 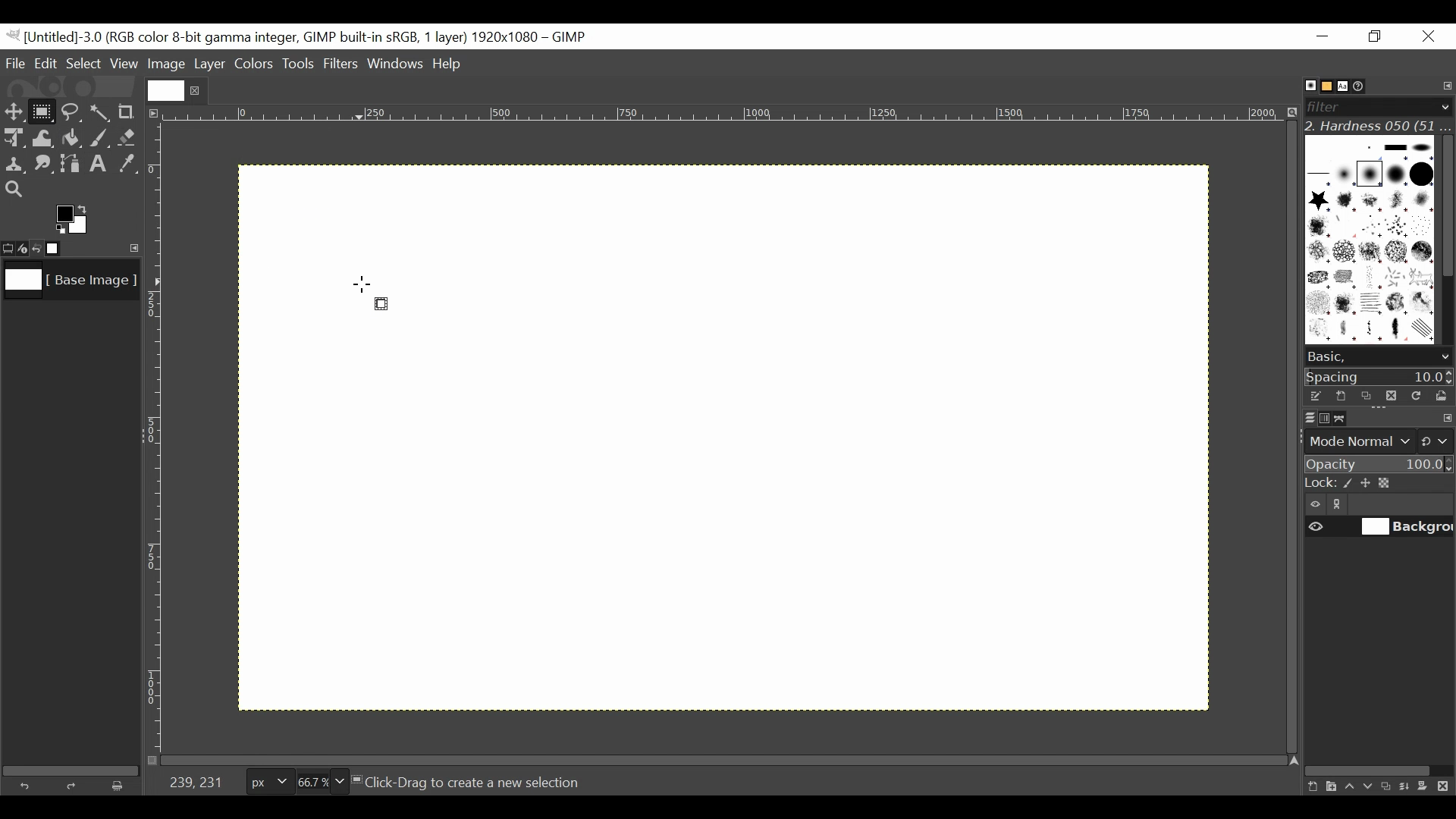 I want to click on Image, so click(x=166, y=64).